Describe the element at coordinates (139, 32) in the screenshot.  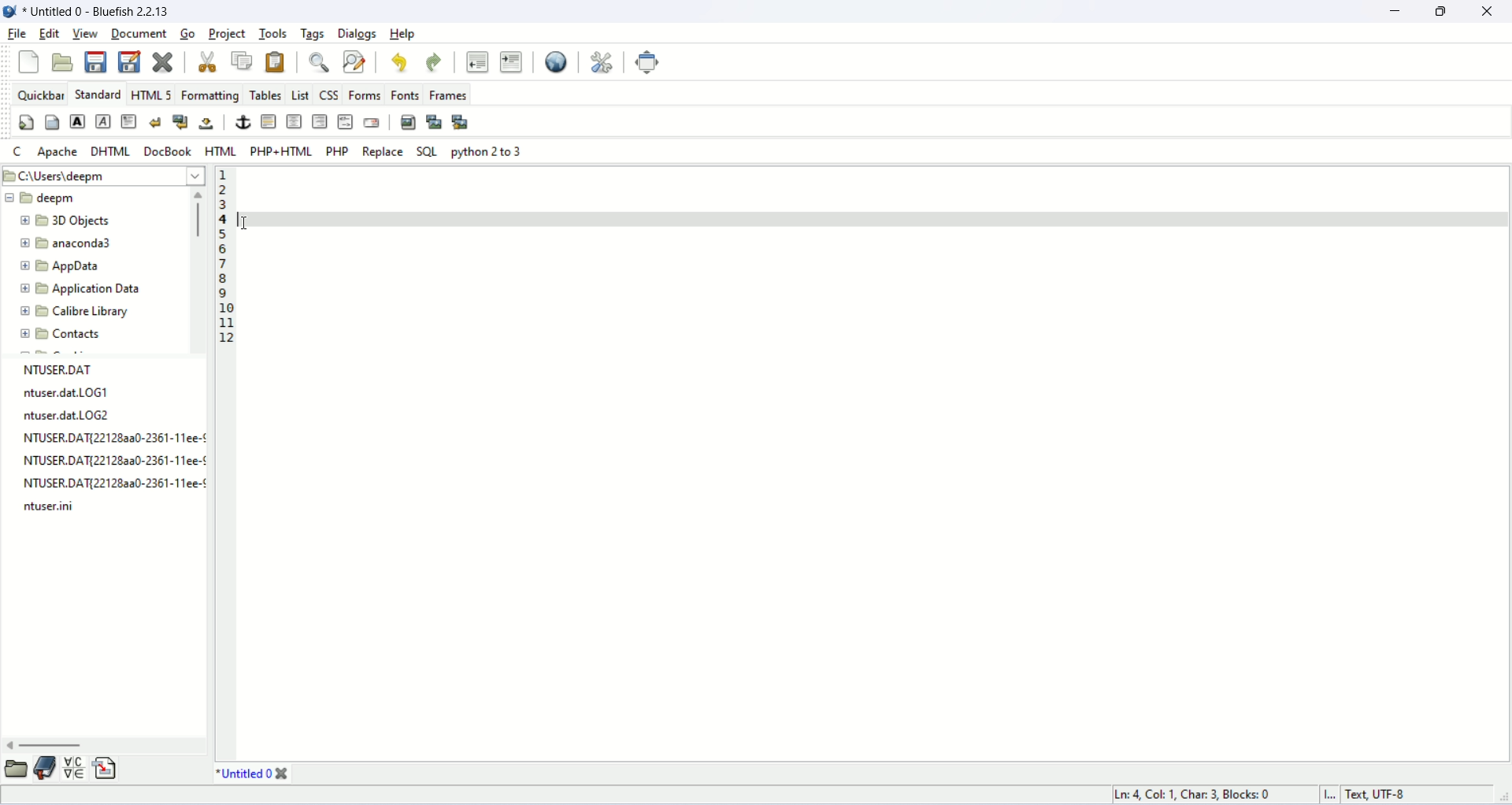
I see `document` at that location.